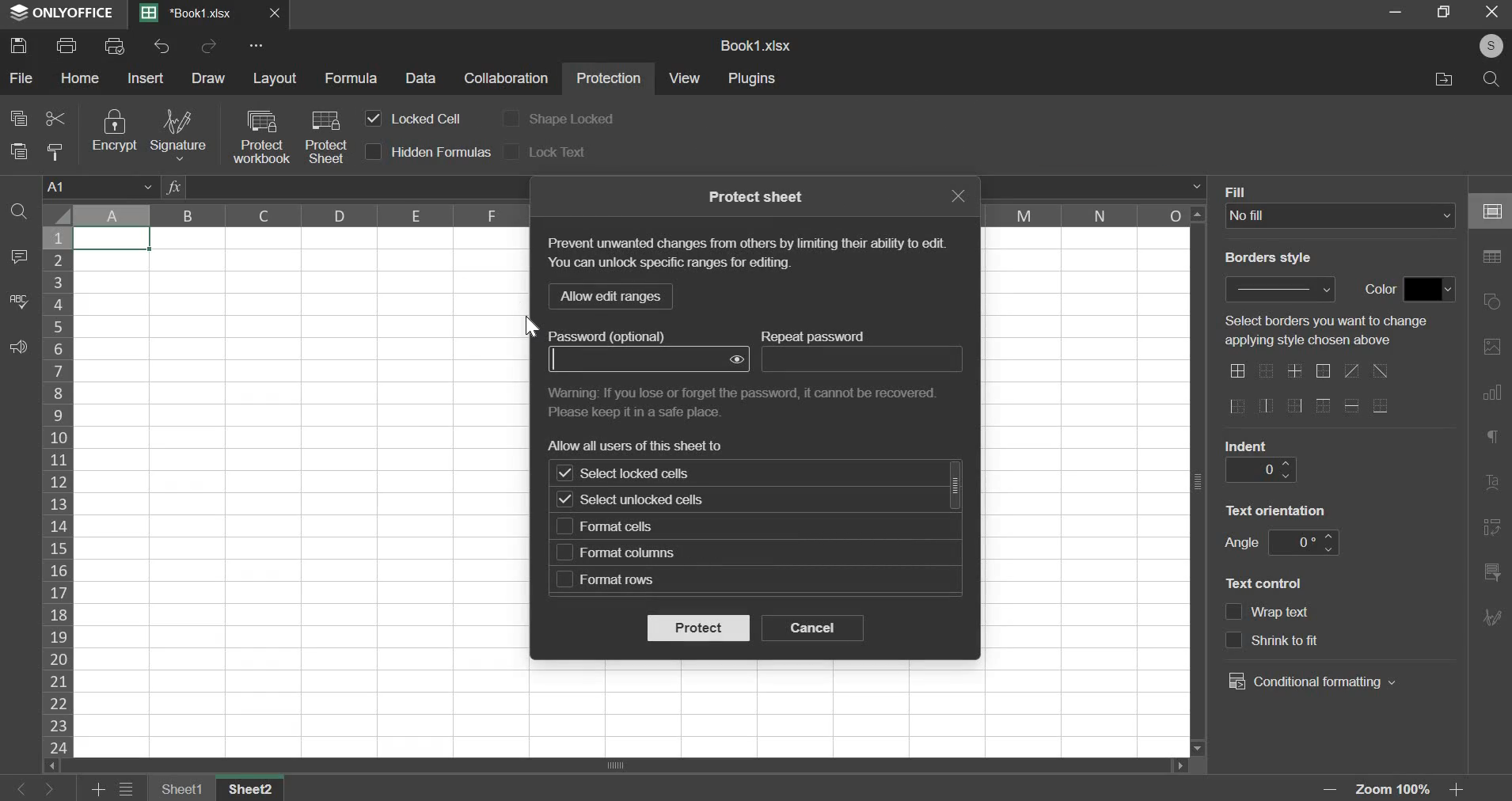 This screenshot has height=801, width=1512. I want to click on feedback, so click(17, 347).